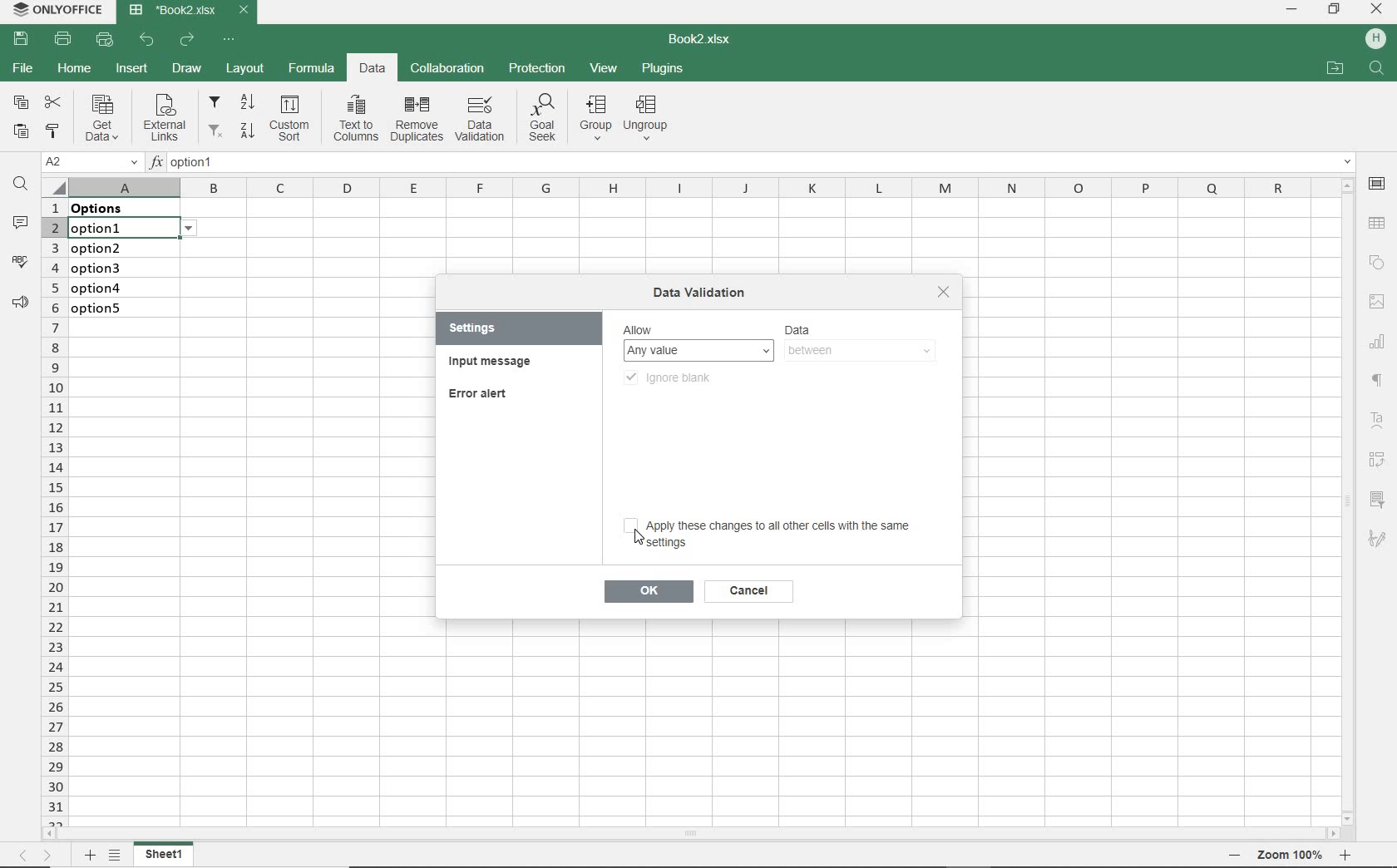  Describe the element at coordinates (944, 292) in the screenshot. I see `close` at that location.